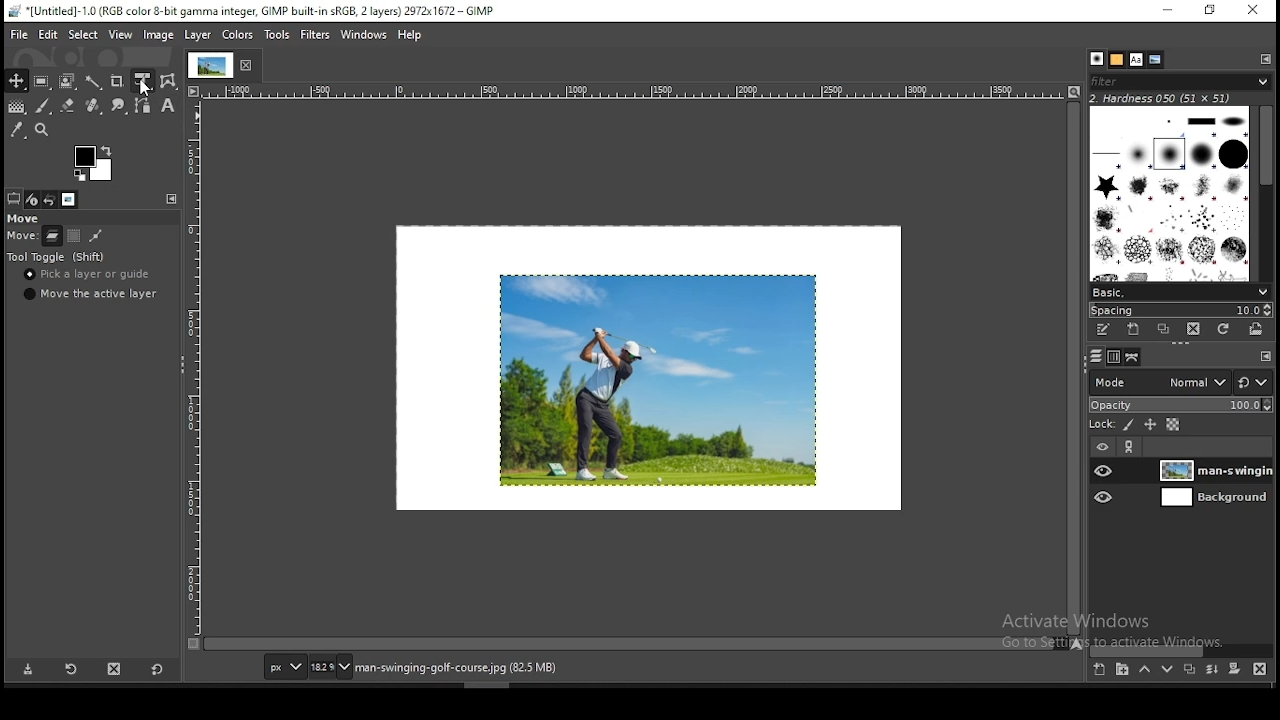 The height and width of the screenshot is (720, 1280). Describe the element at coordinates (20, 236) in the screenshot. I see `move` at that location.